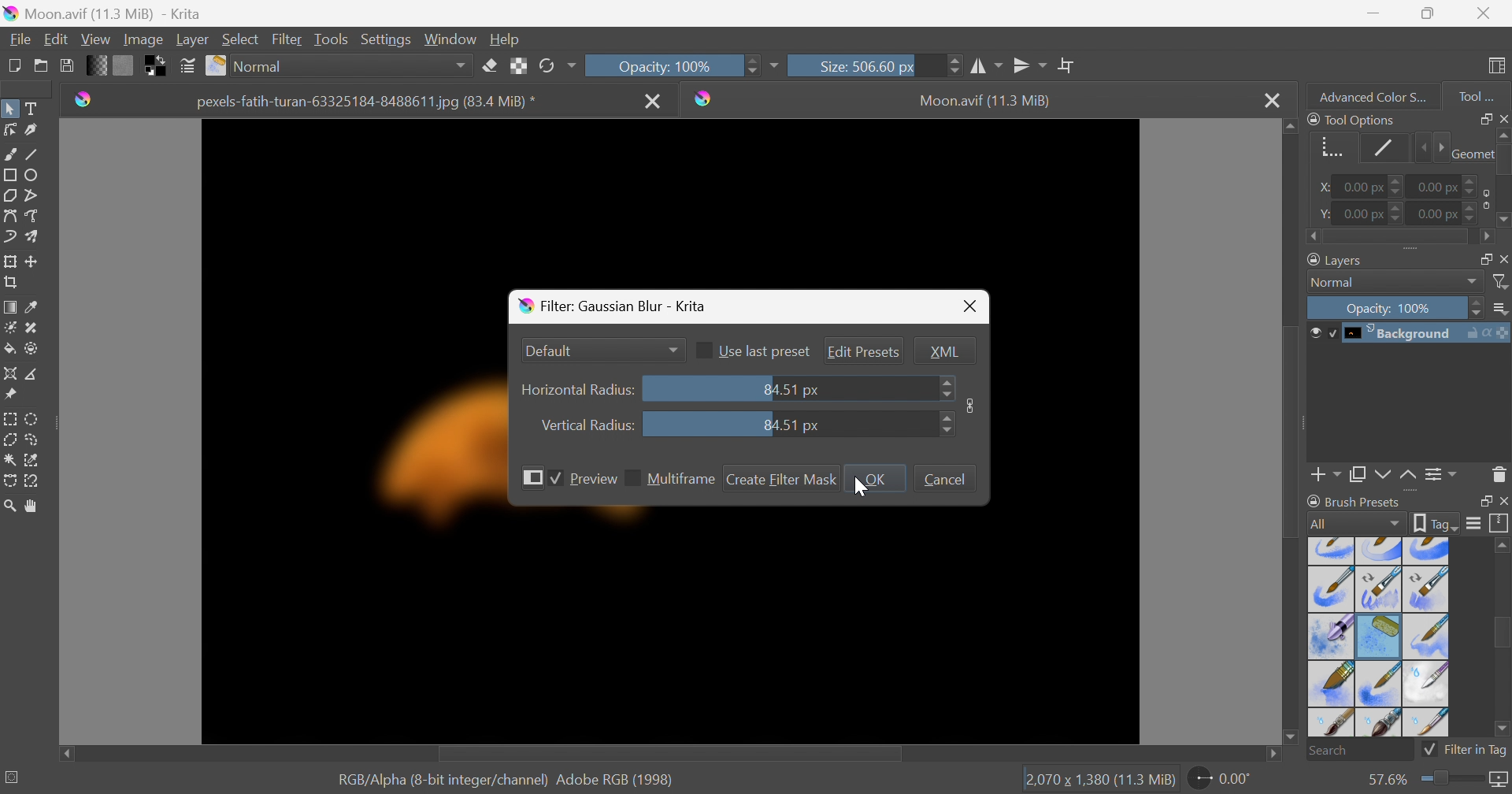  What do you see at coordinates (1487, 11) in the screenshot?
I see `Close` at bounding box center [1487, 11].